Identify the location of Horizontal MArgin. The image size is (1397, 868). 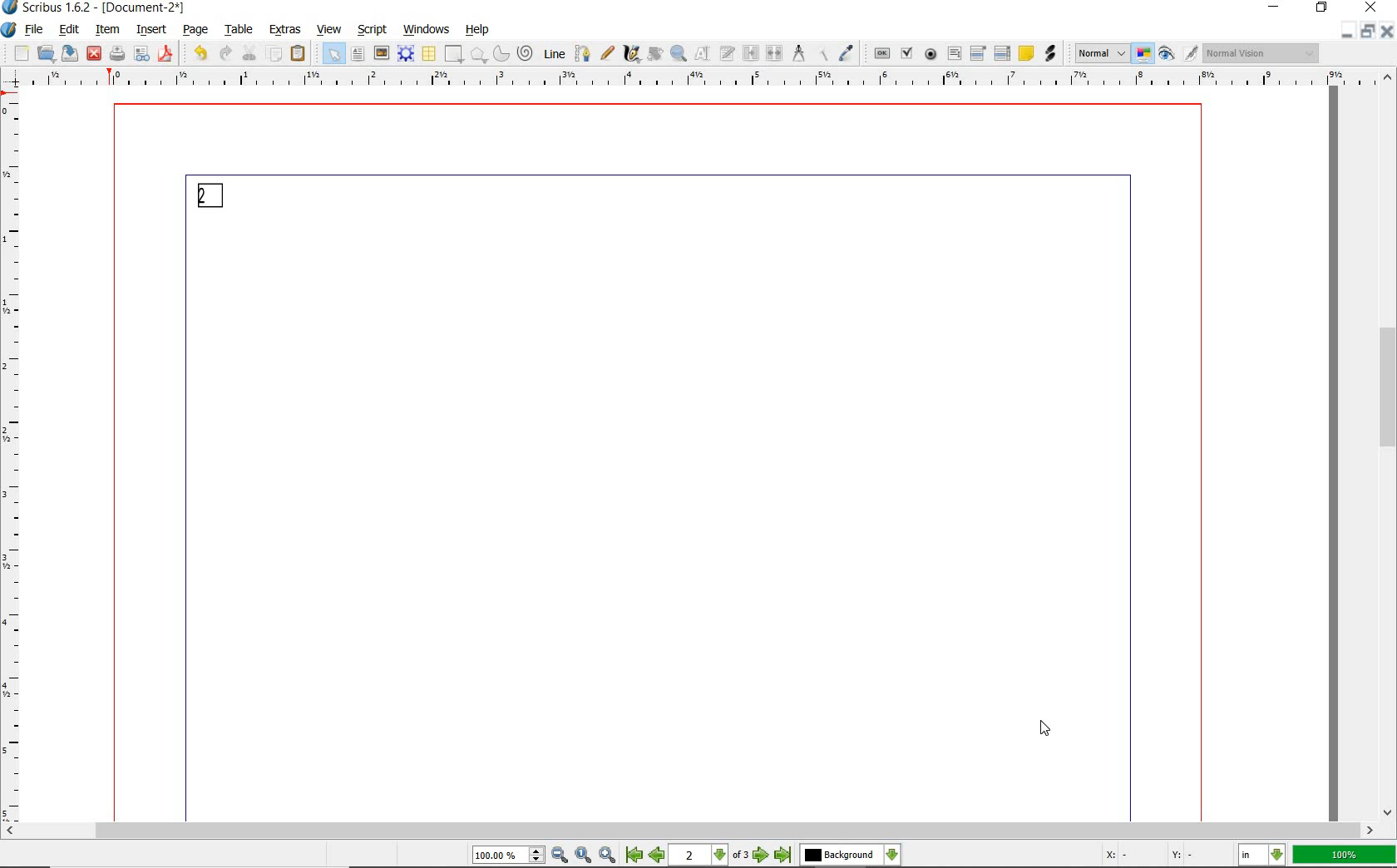
(693, 82).